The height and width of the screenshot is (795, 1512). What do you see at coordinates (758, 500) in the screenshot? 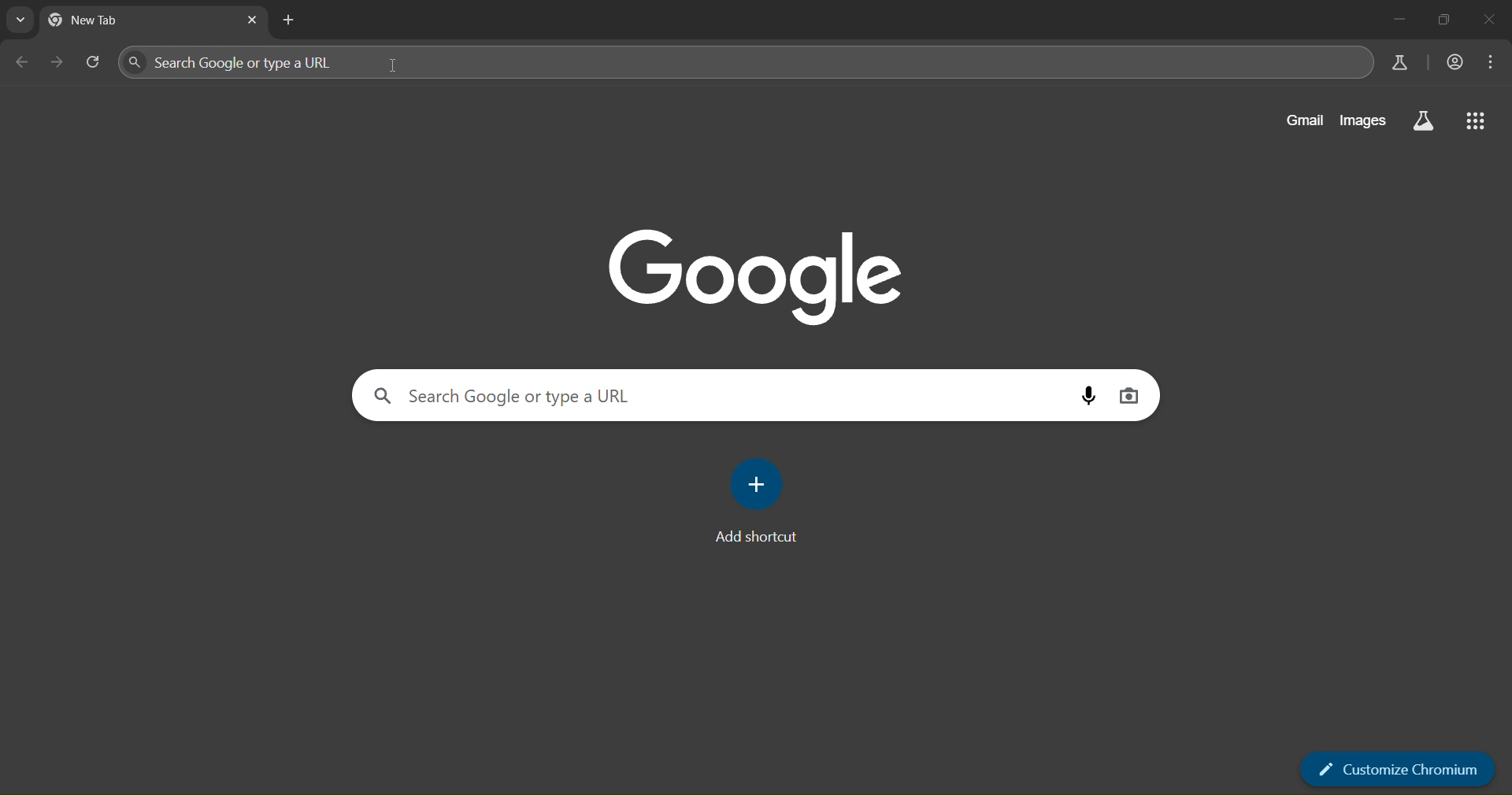
I see `add shortcut` at bounding box center [758, 500].